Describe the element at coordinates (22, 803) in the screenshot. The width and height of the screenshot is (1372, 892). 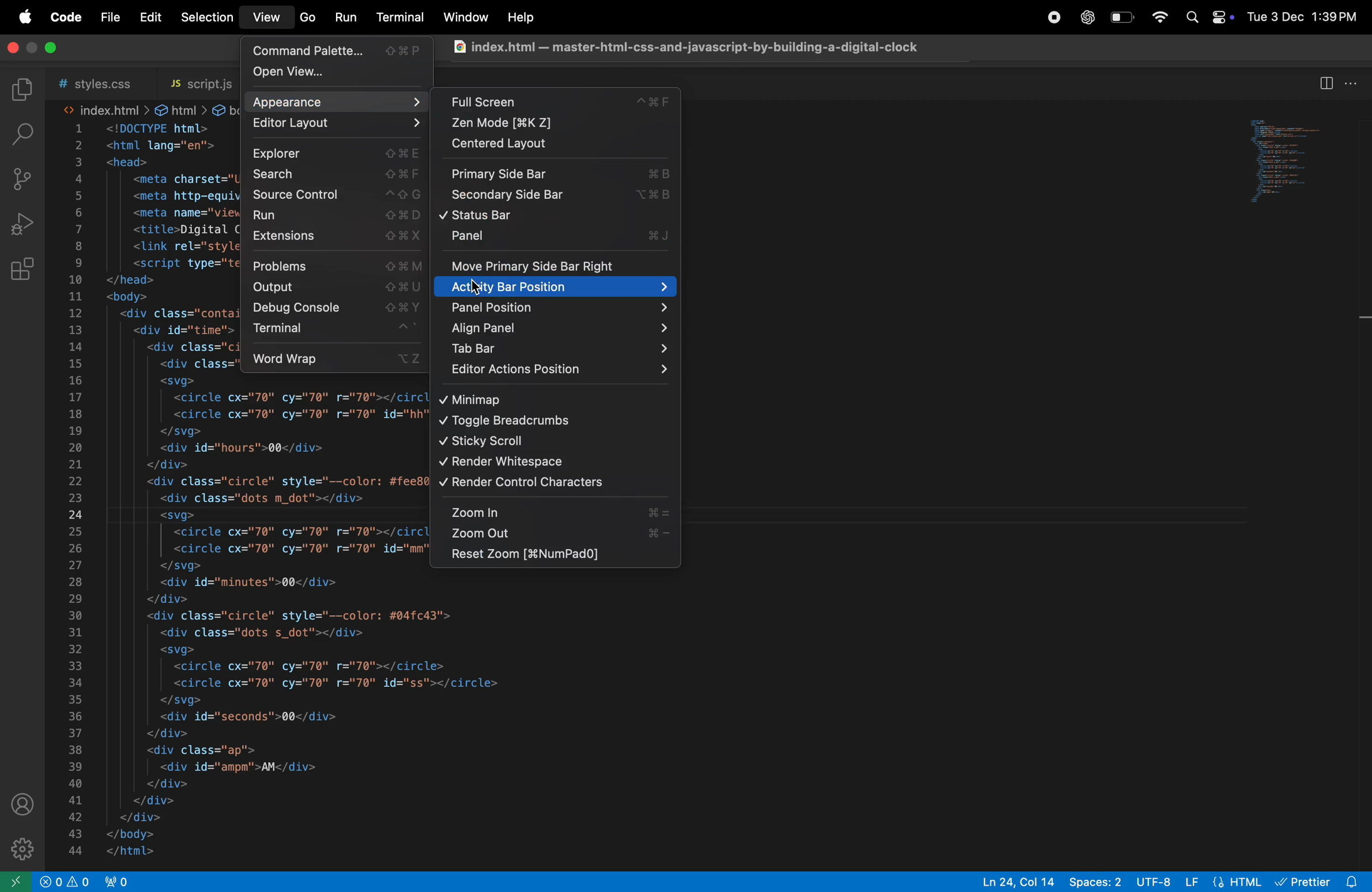
I see `profile` at that location.